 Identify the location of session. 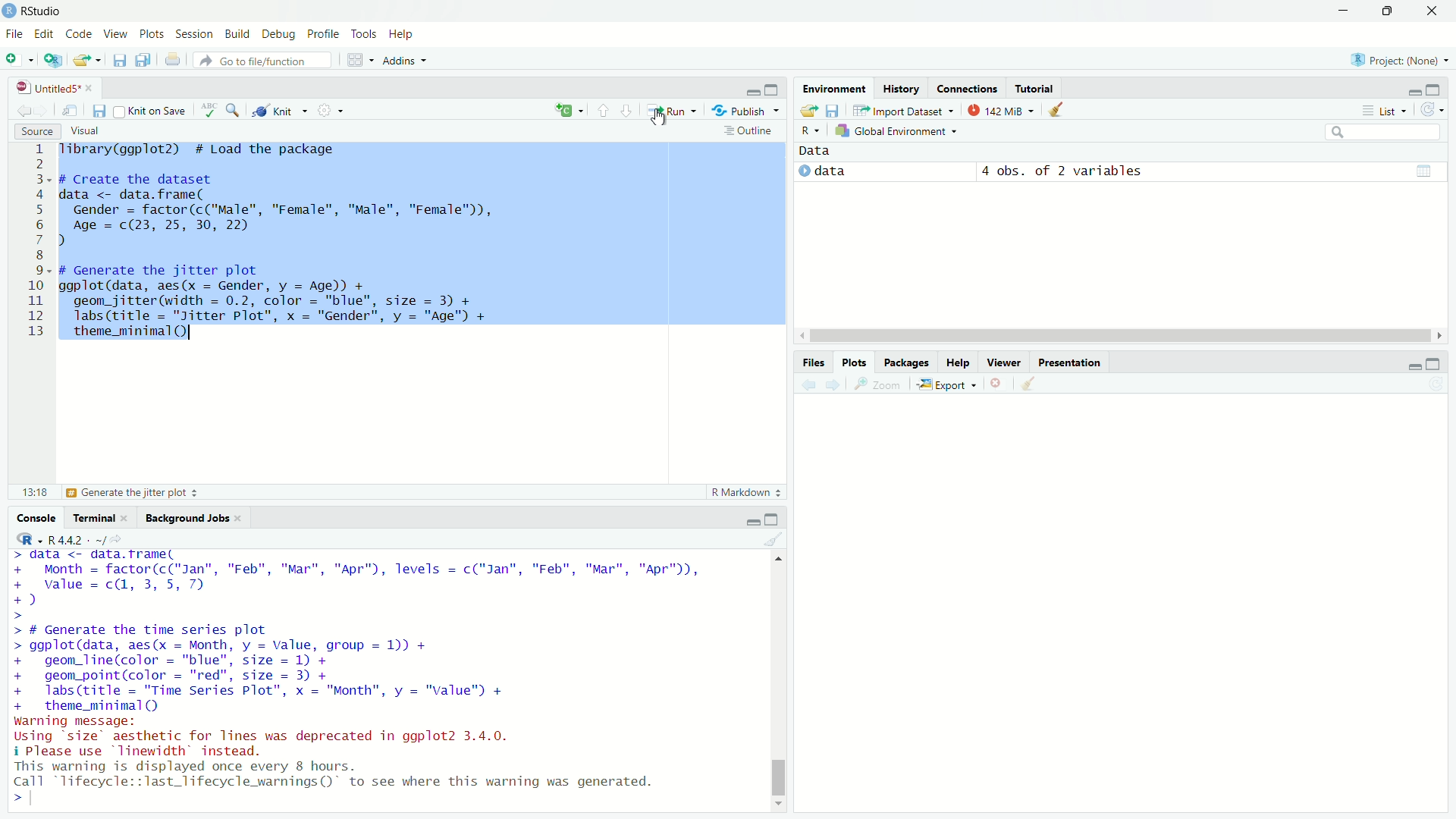
(193, 33).